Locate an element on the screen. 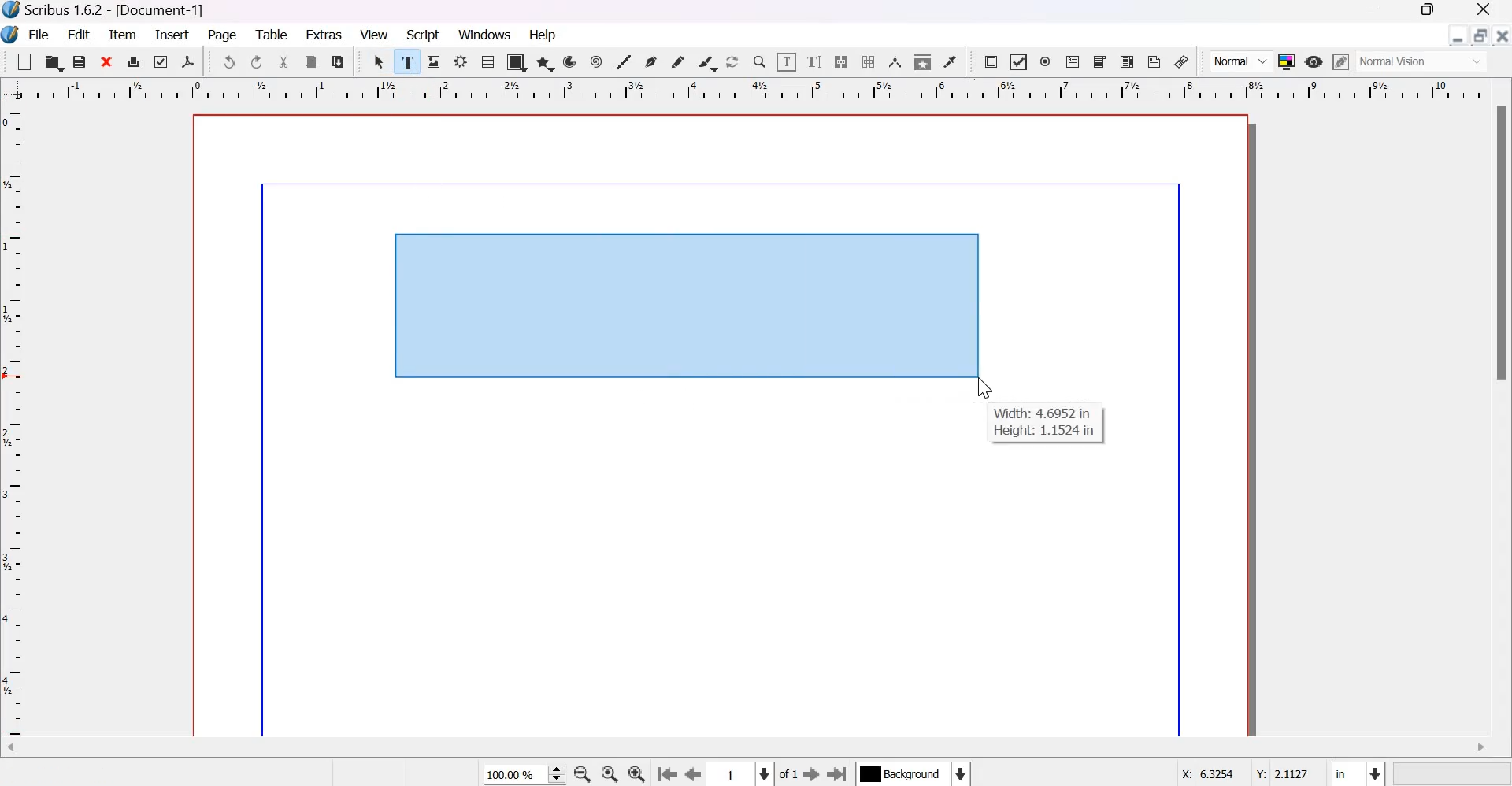 This screenshot has width=1512, height=786. Table is located at coordinates (487, 61).